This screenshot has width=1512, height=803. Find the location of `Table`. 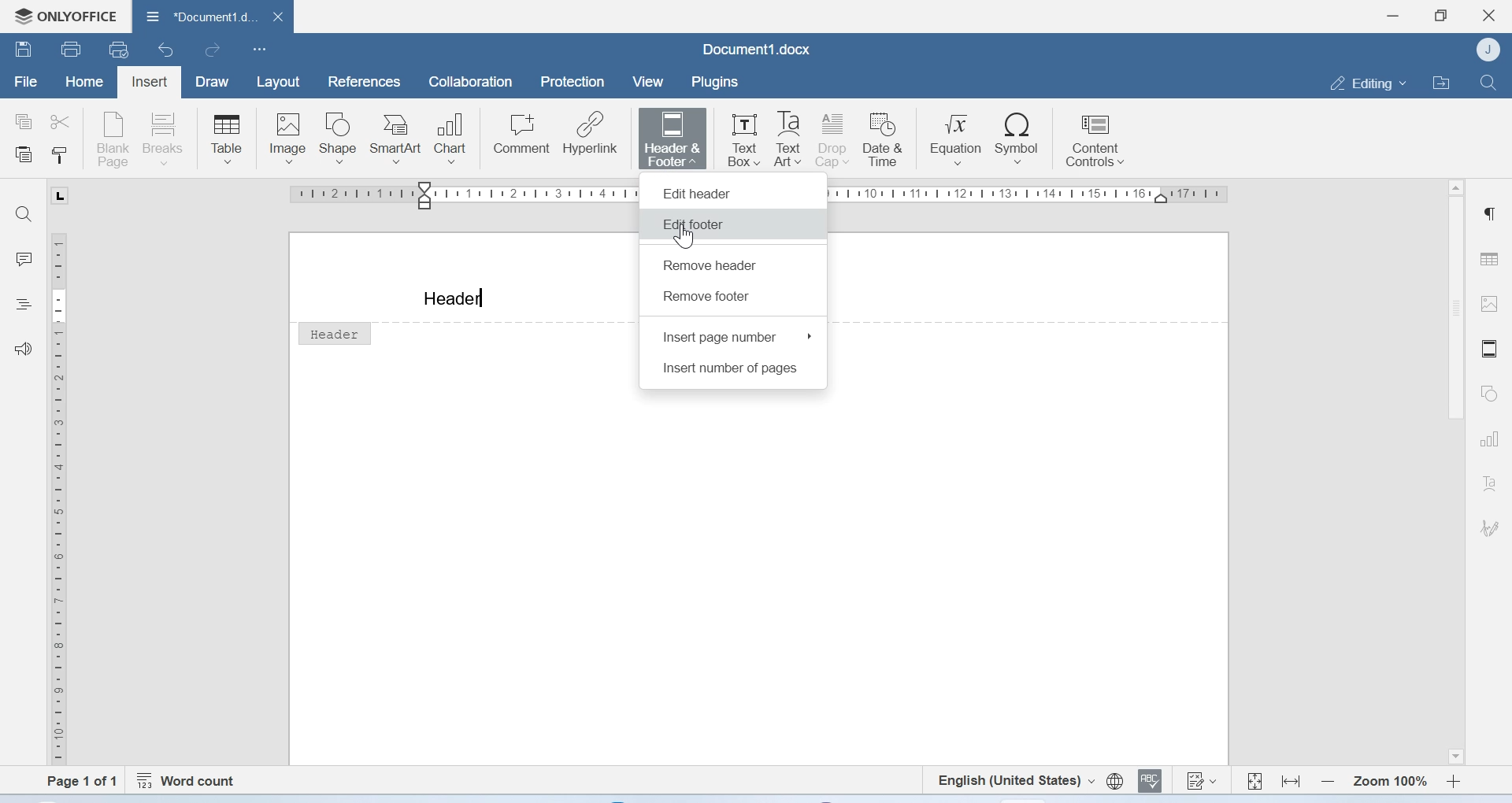

Table is located at coordinates (1492, 254).